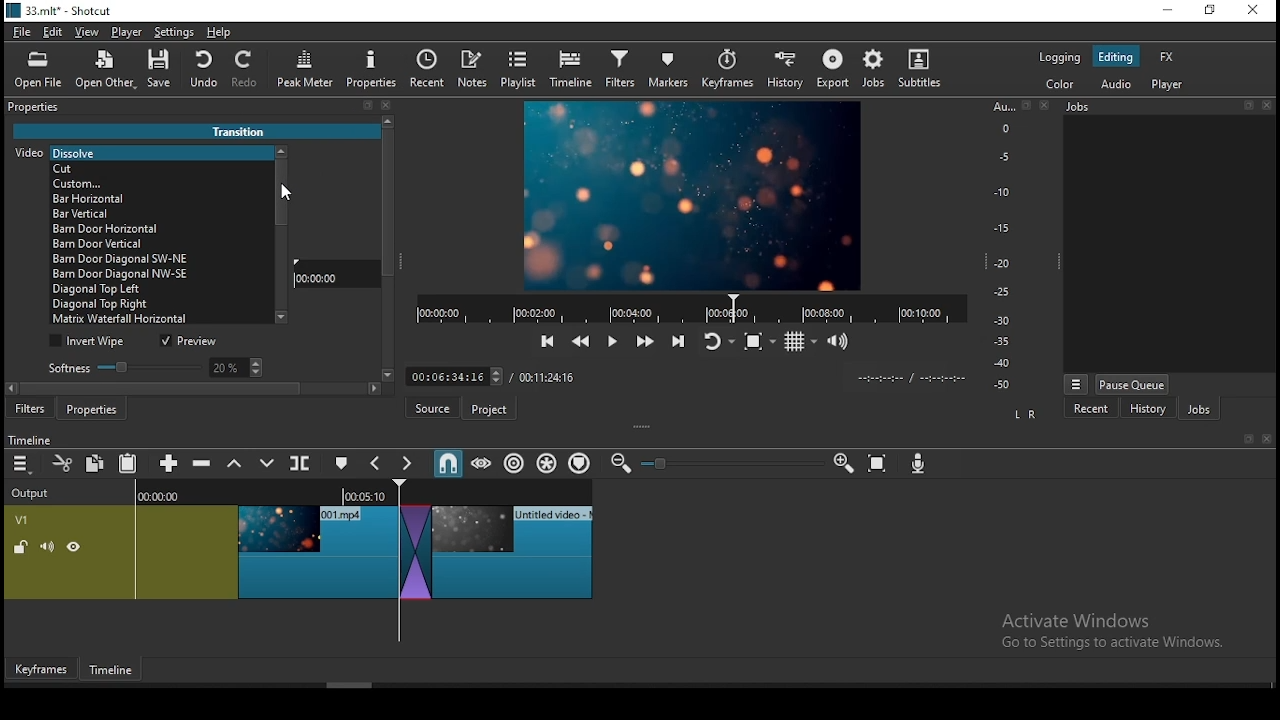  I want to click on , so click(921, 466).